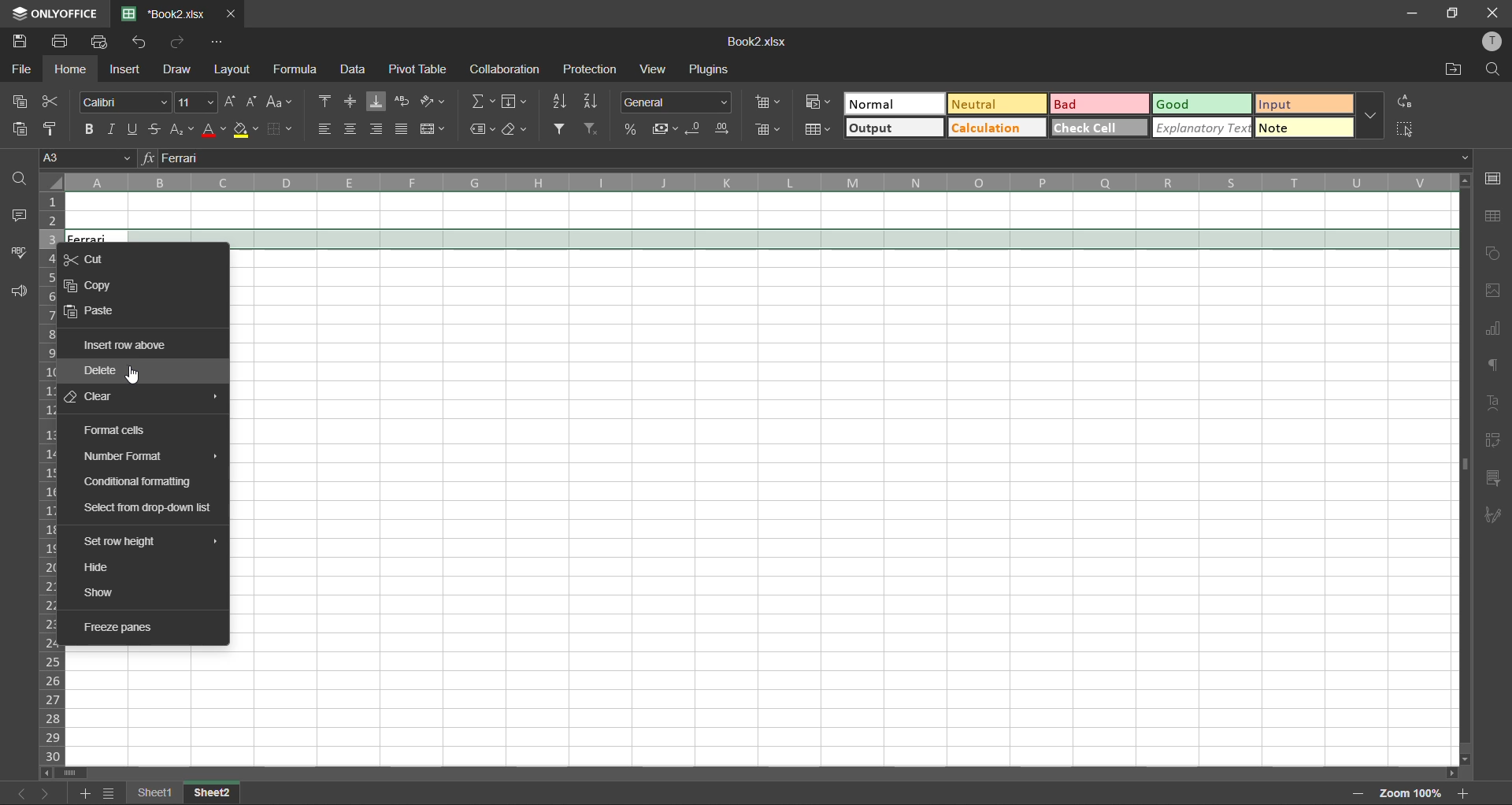  Describe the element at coordinates (806, 158) in the screenshot. I see `formula bar` at that location.